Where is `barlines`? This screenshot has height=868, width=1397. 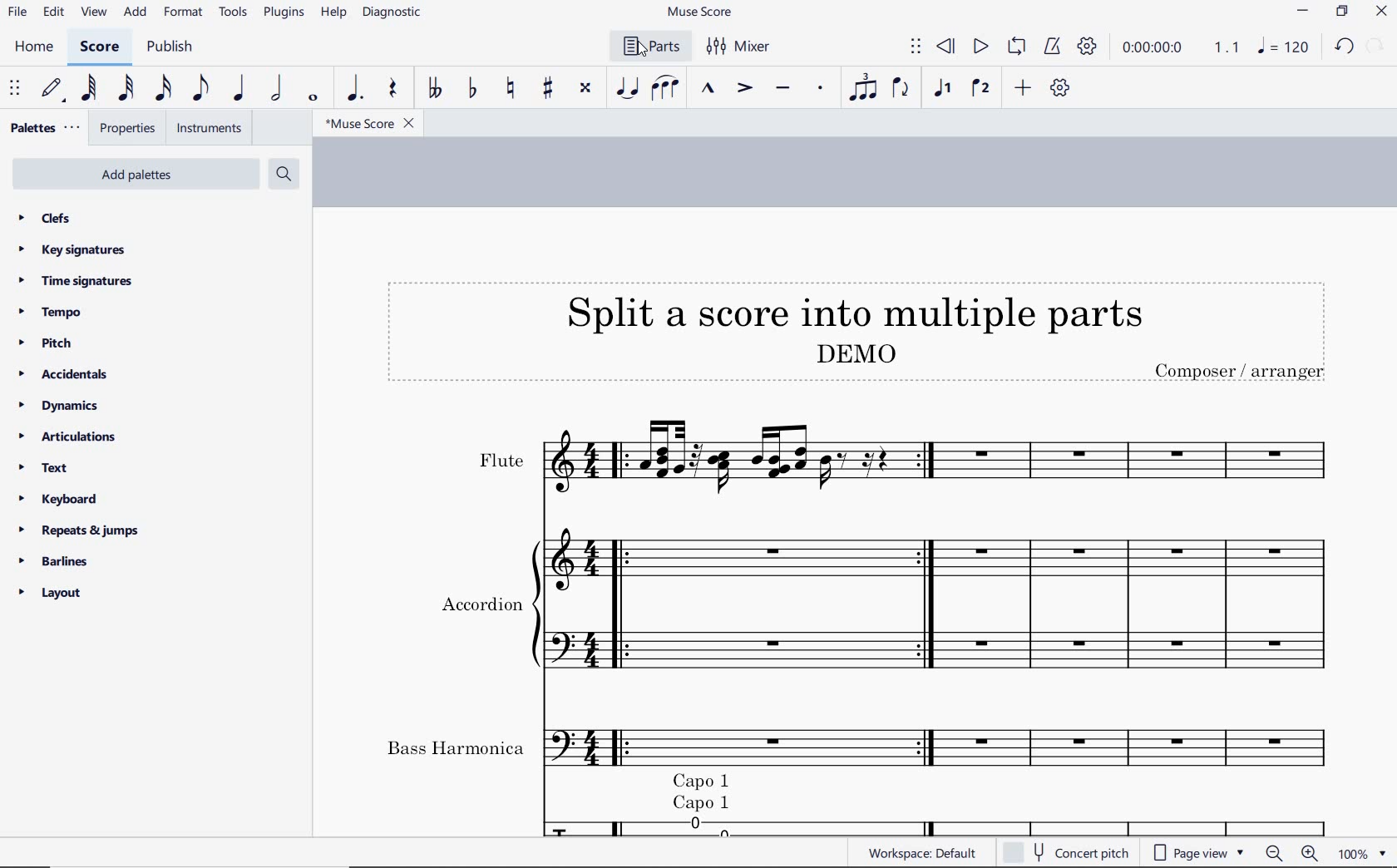 barlines is located at coordinates (58, 561).